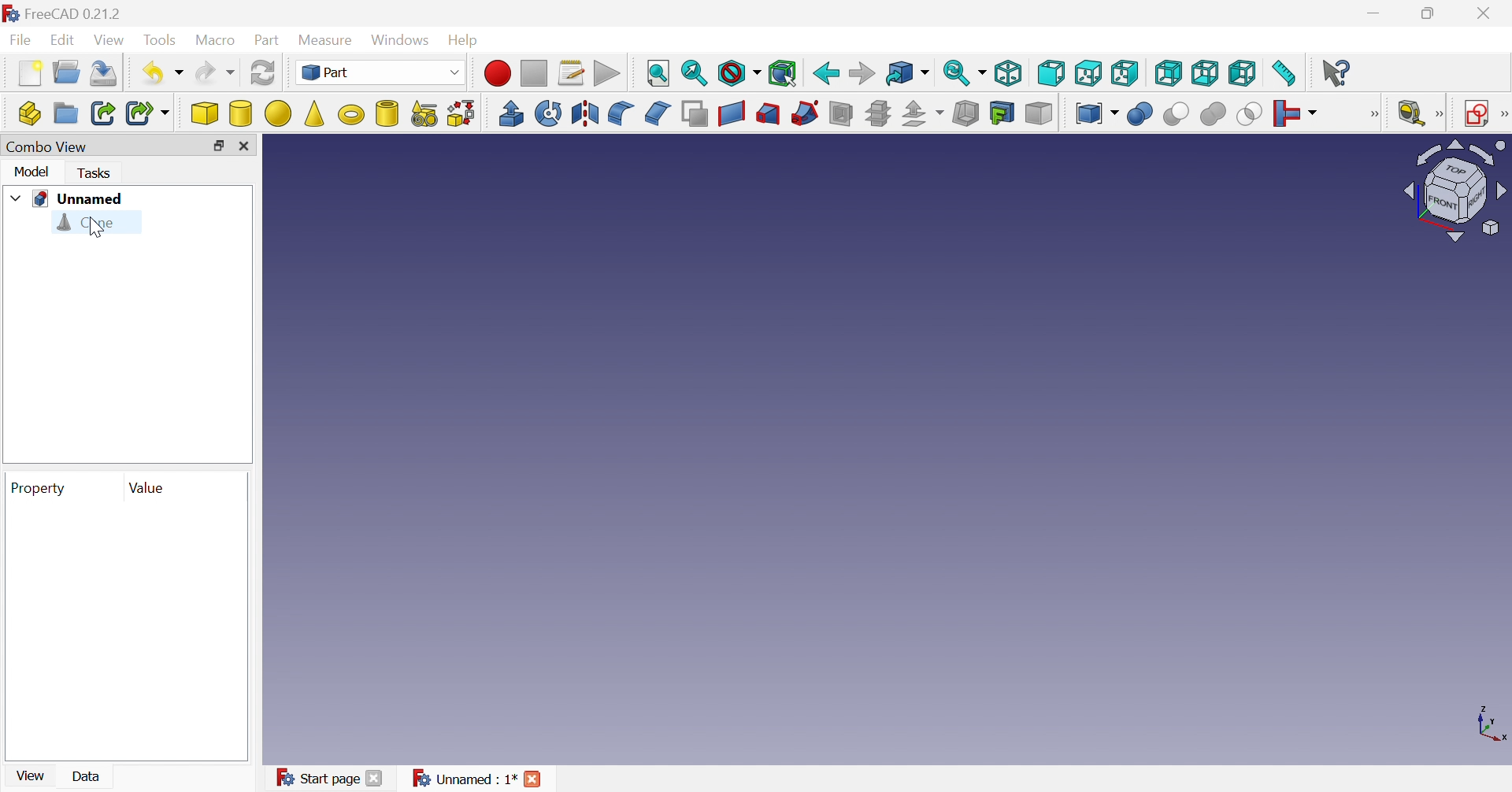  What do you see at coordinates (547, 113) in the screenshot?
I see `Revolve` at bounding box center [547, 113].